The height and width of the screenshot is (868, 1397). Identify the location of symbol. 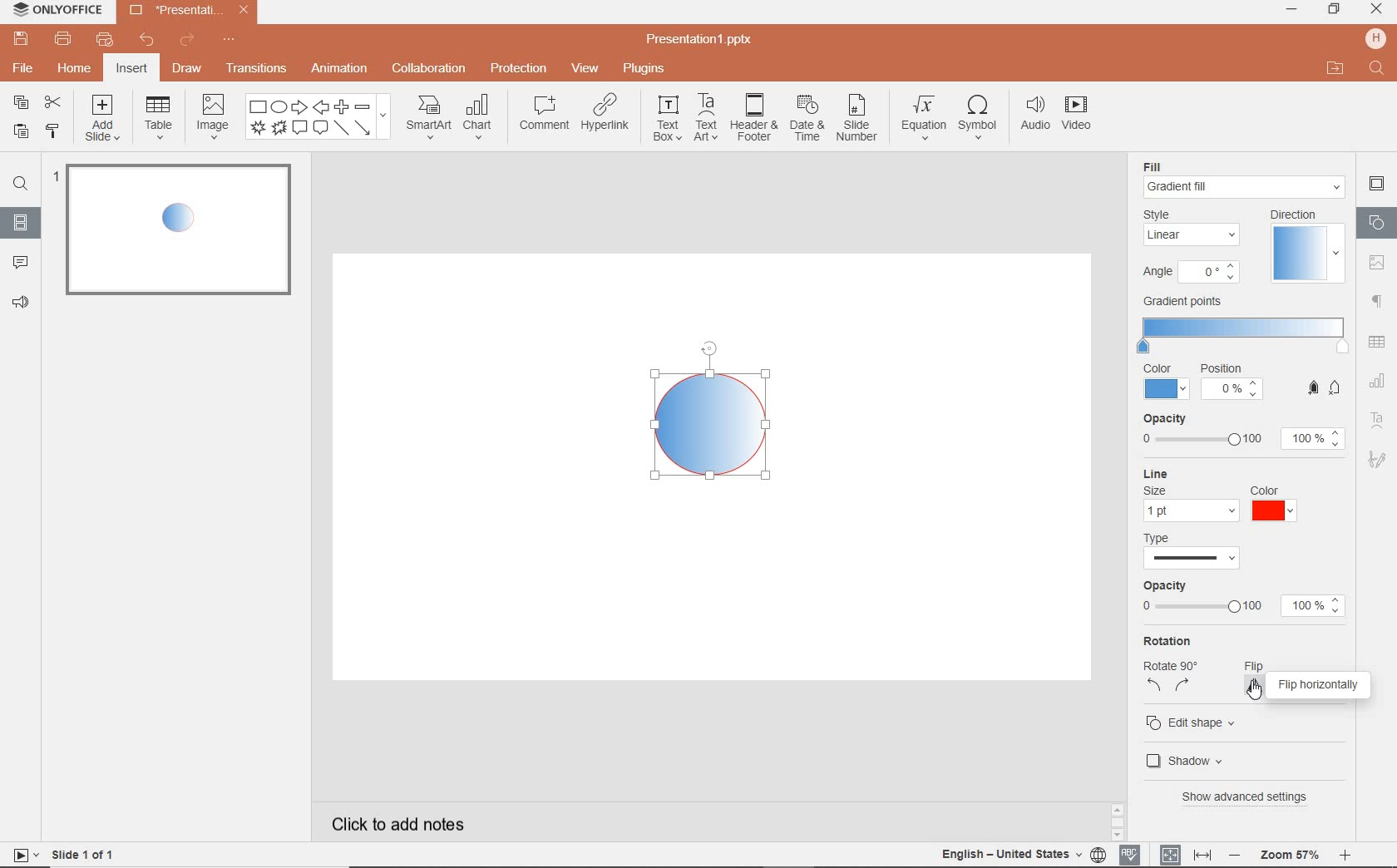
(977, 118).